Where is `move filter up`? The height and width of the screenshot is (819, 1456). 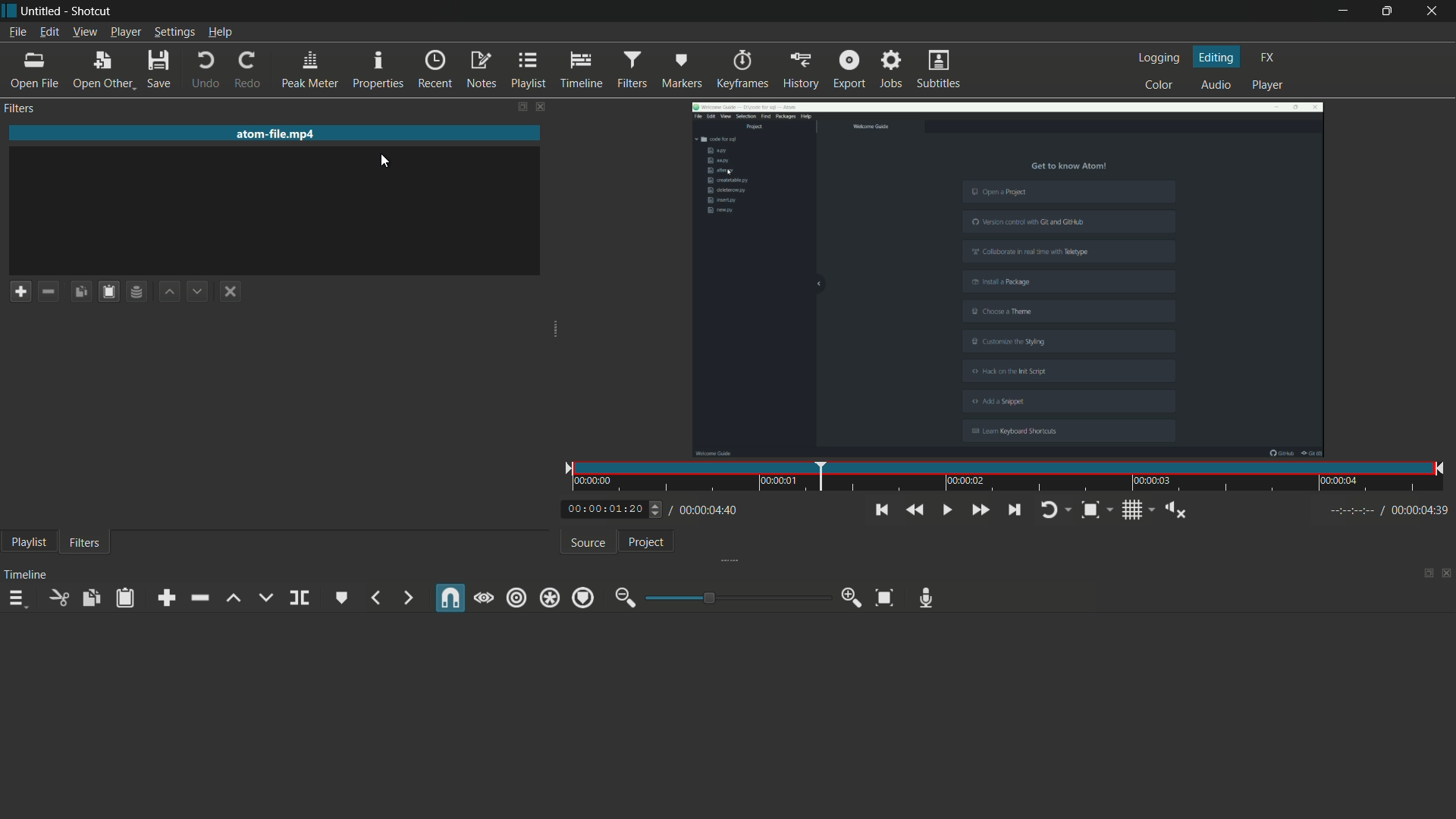
move filter up is located at coordinates (171, 290).